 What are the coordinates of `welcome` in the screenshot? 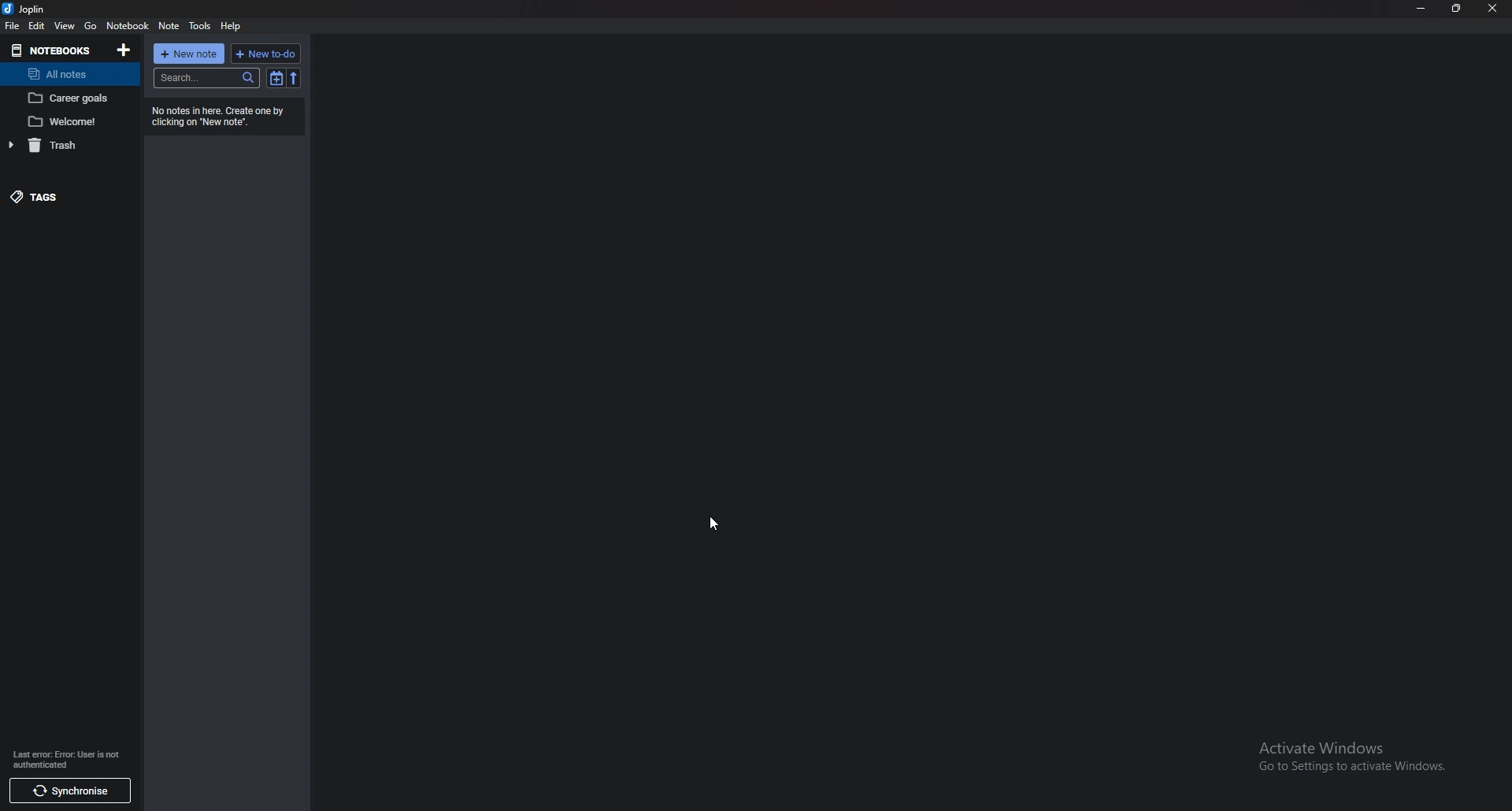 It's located at (65, 121).